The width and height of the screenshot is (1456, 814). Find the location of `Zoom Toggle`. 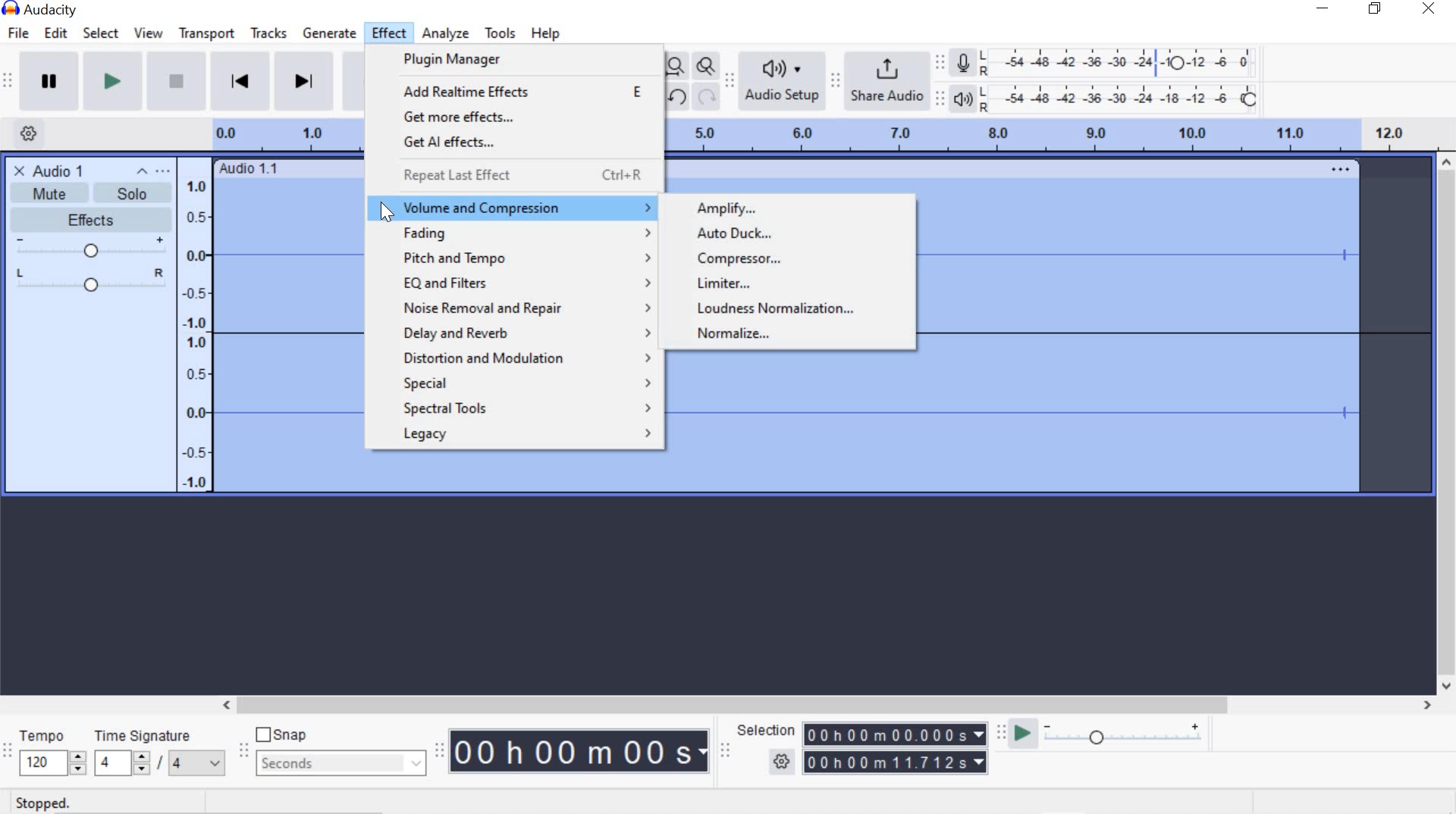

Zoom Toggle is located at coordinates (707, 68).